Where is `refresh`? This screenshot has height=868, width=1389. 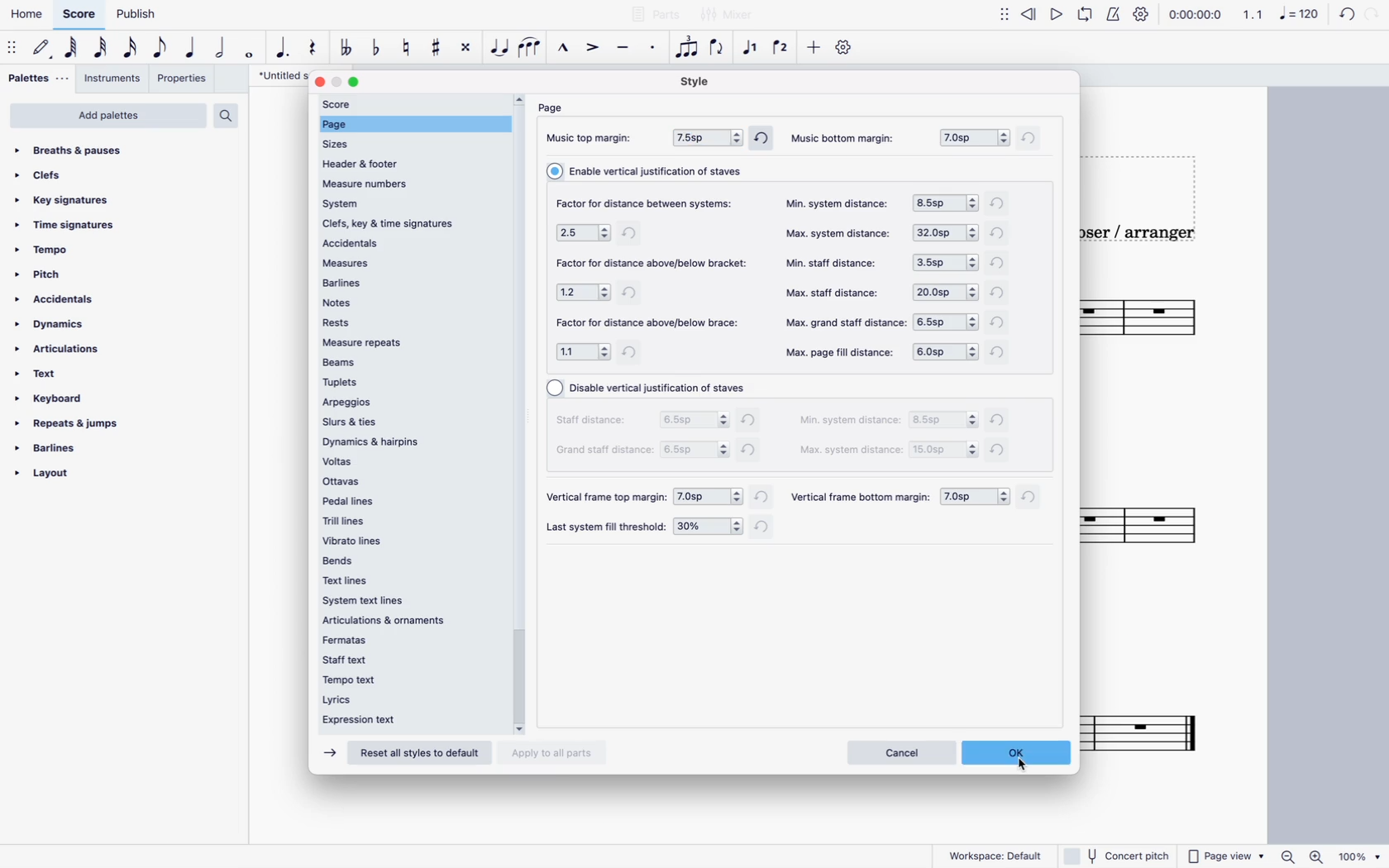 refresh is located at coordinates (1032, 137).